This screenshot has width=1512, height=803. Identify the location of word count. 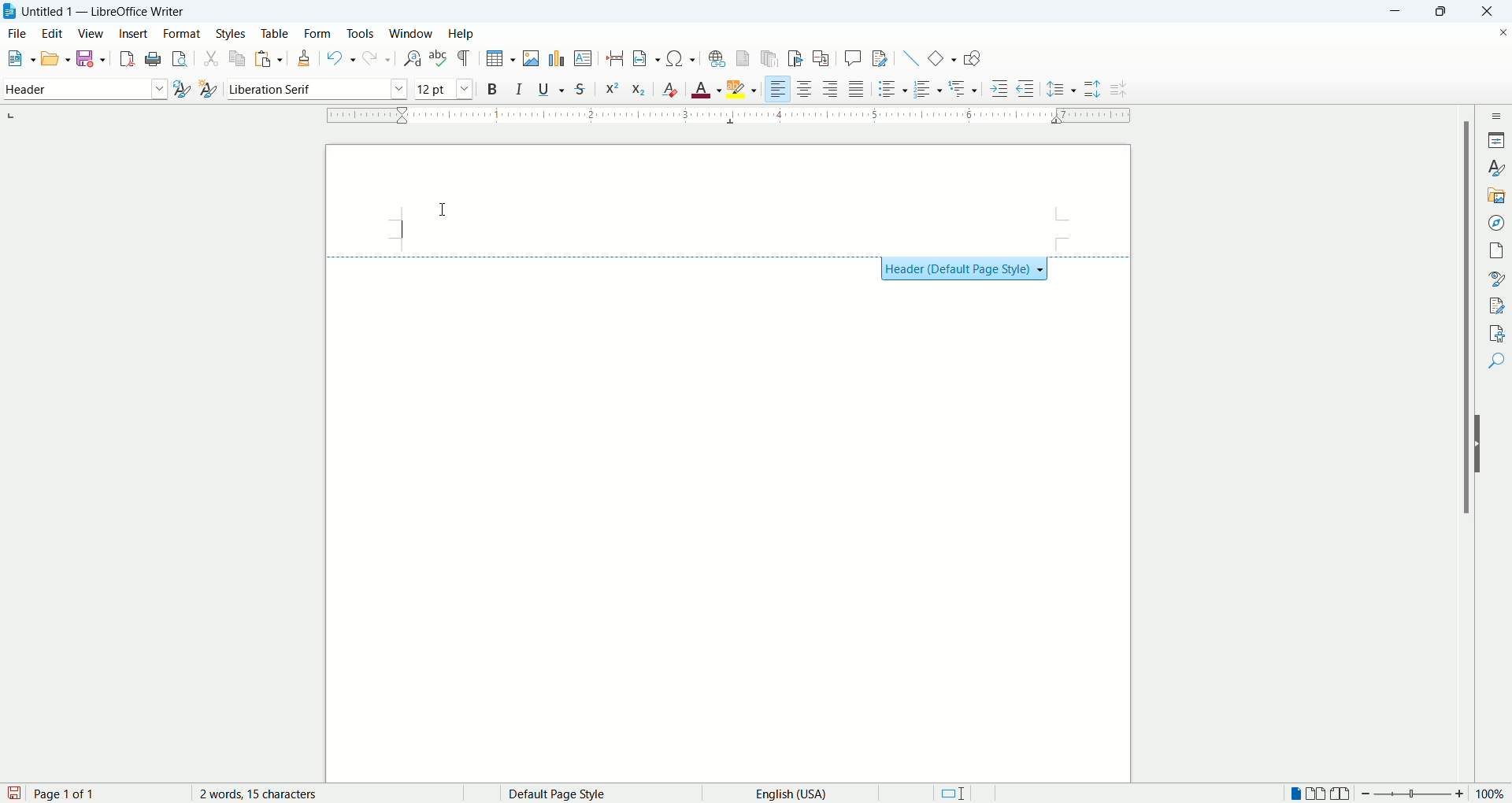
(323, 794).